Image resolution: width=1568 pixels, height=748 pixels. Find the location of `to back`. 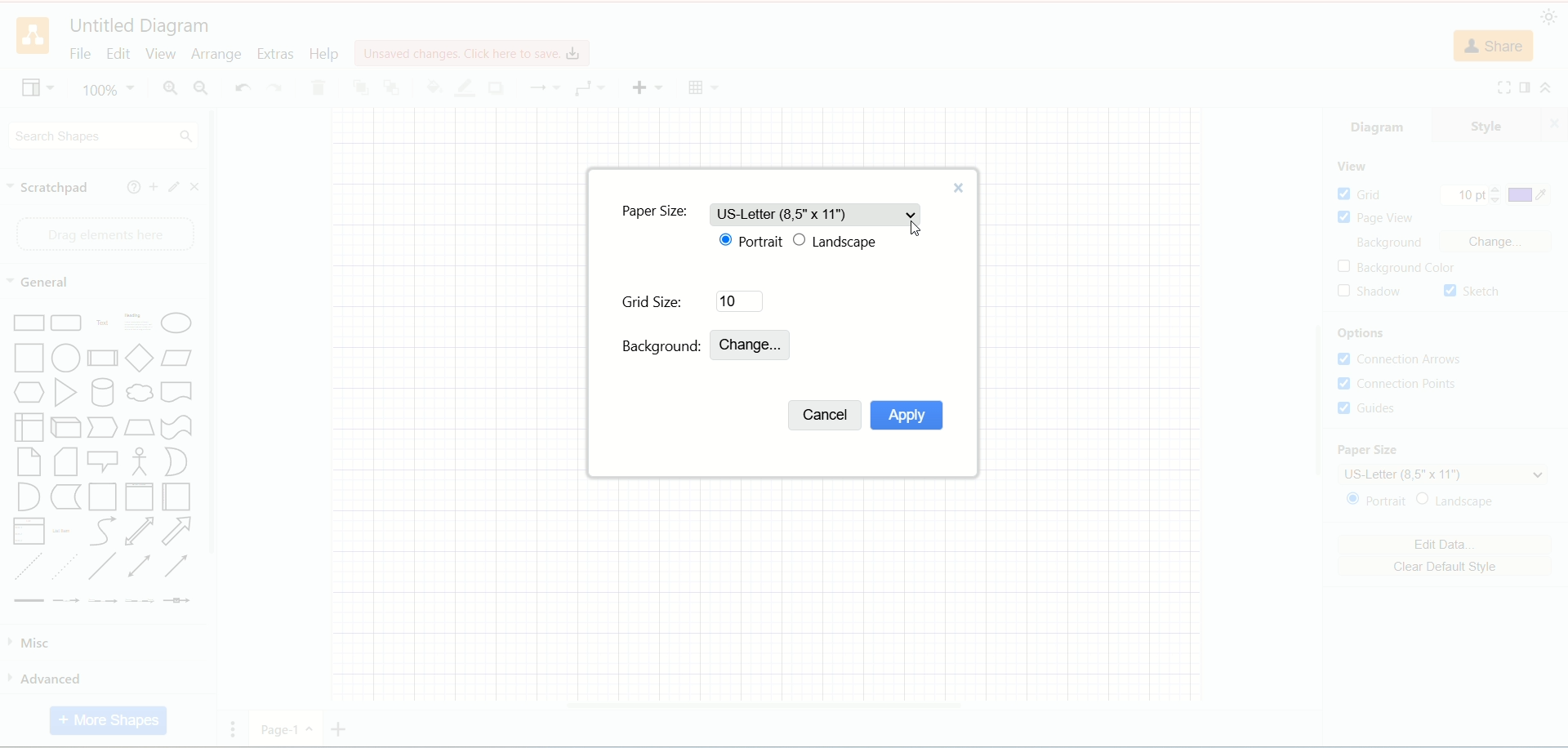

to back is located at coordinates (392, 86).